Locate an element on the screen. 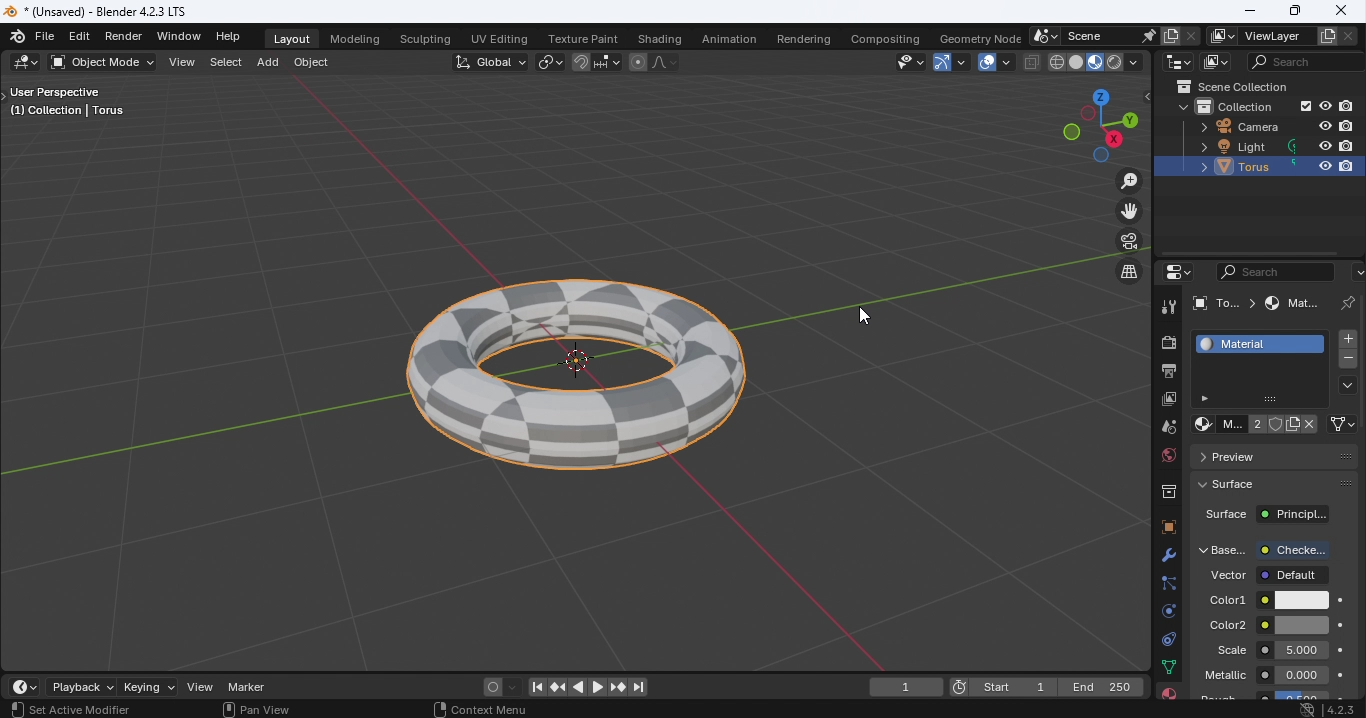 Image resolution: width=1366 pixels, height=718 pixels. Blender version is located at coordinates (1341, 707).